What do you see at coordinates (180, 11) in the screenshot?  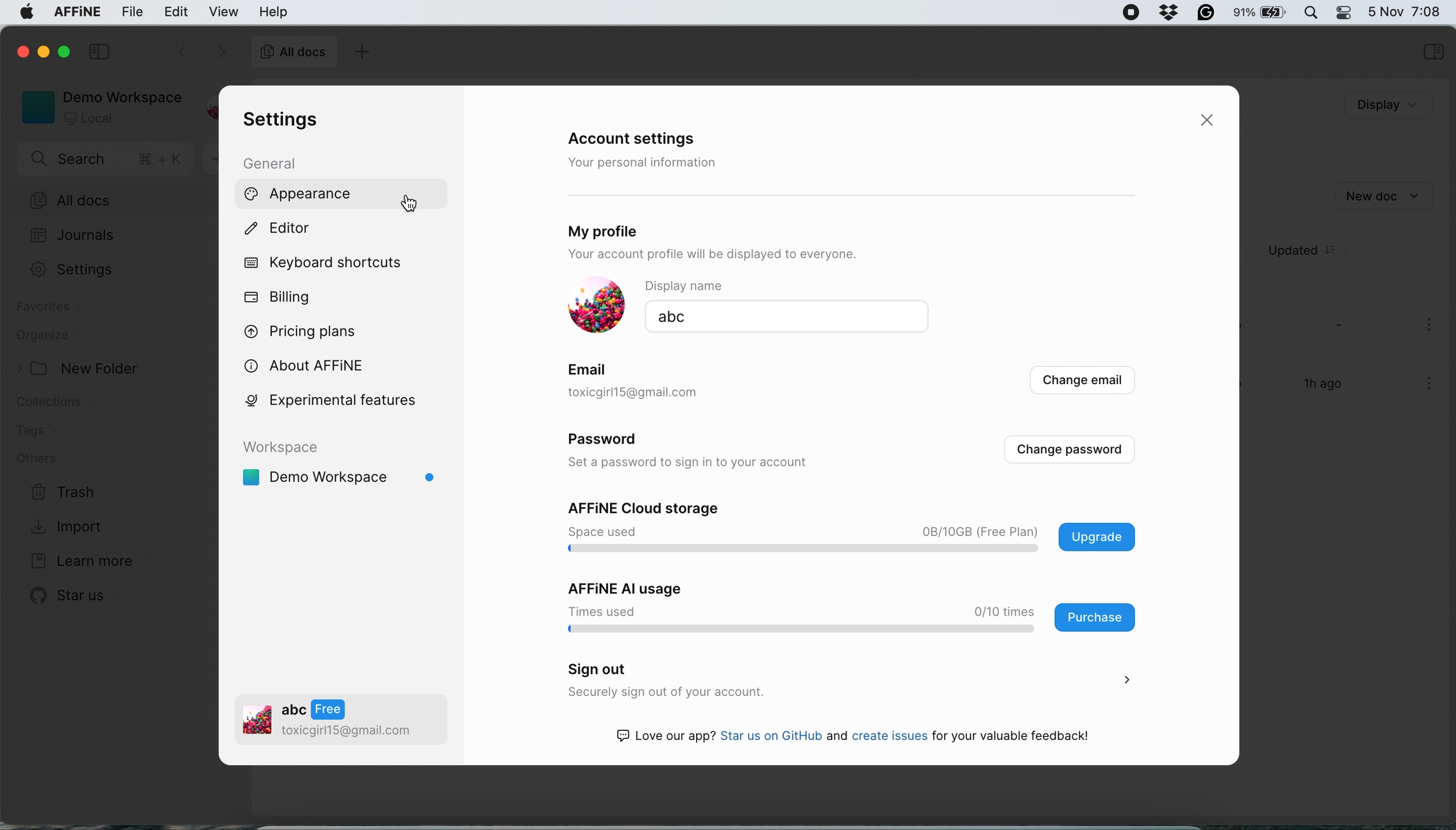 I see `edit` at bounding box center [180, 11].